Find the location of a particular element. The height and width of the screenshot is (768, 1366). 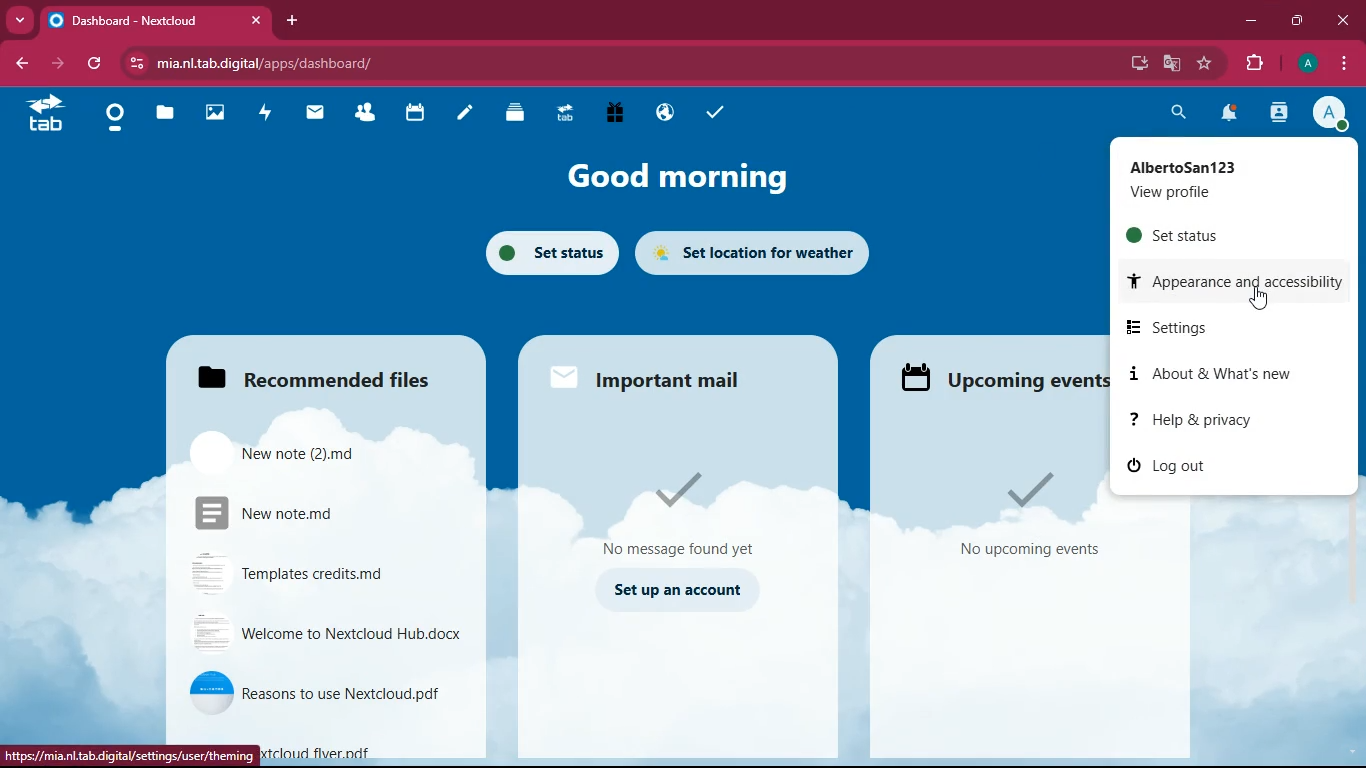

mail is located at coordinates (656, 377).